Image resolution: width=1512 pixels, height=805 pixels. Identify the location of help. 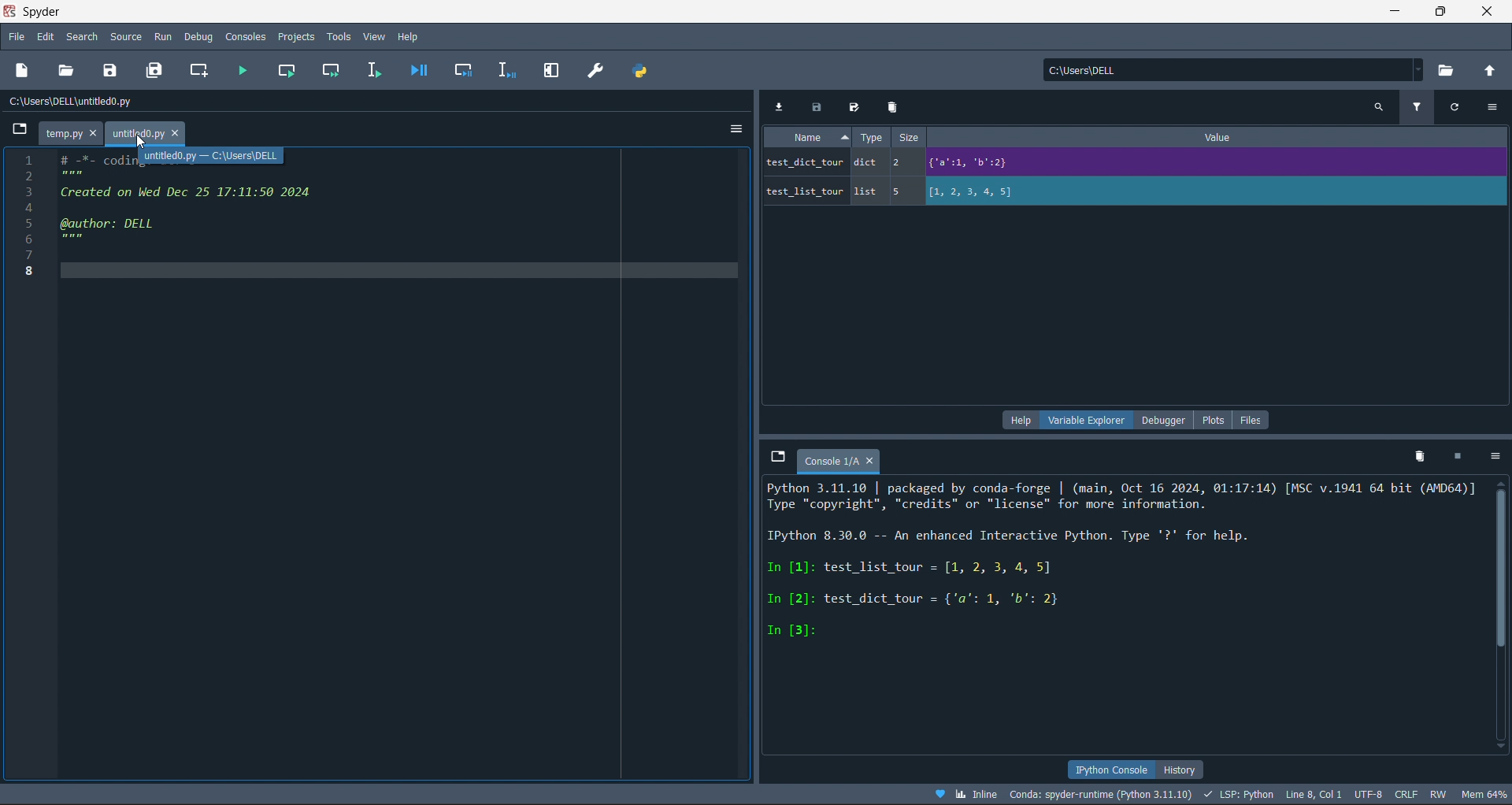
(406, 35).